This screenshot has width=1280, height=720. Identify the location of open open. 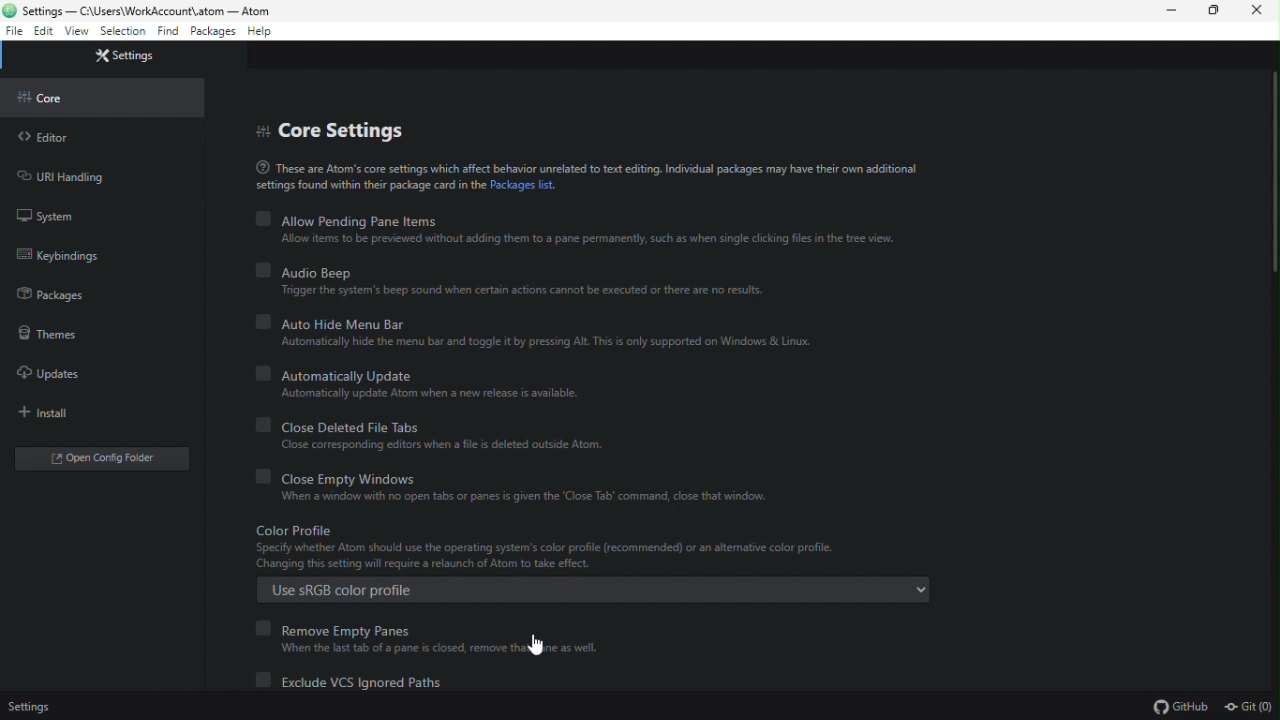
(107, 457).